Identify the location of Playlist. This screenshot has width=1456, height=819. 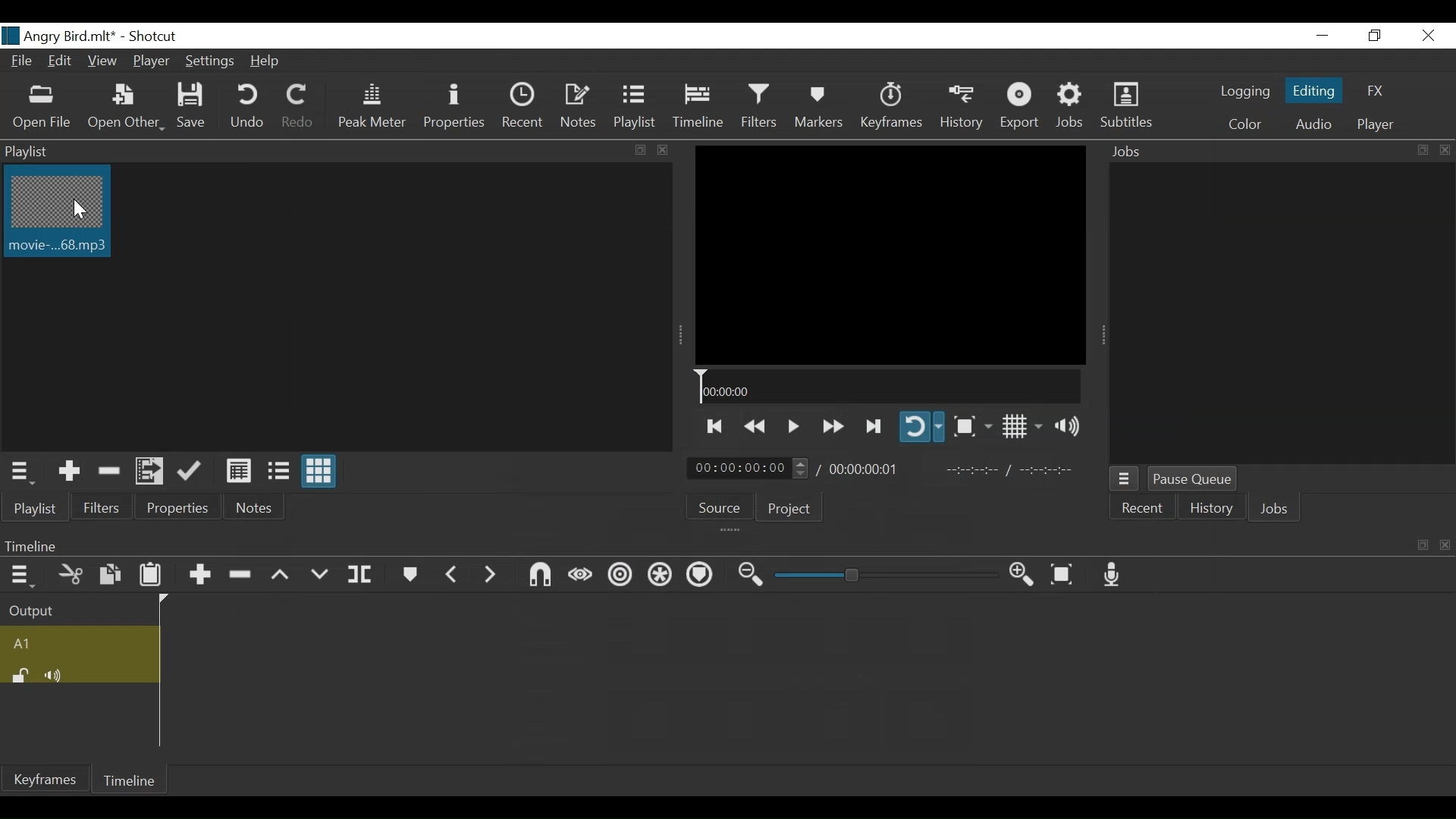
(634, 106).